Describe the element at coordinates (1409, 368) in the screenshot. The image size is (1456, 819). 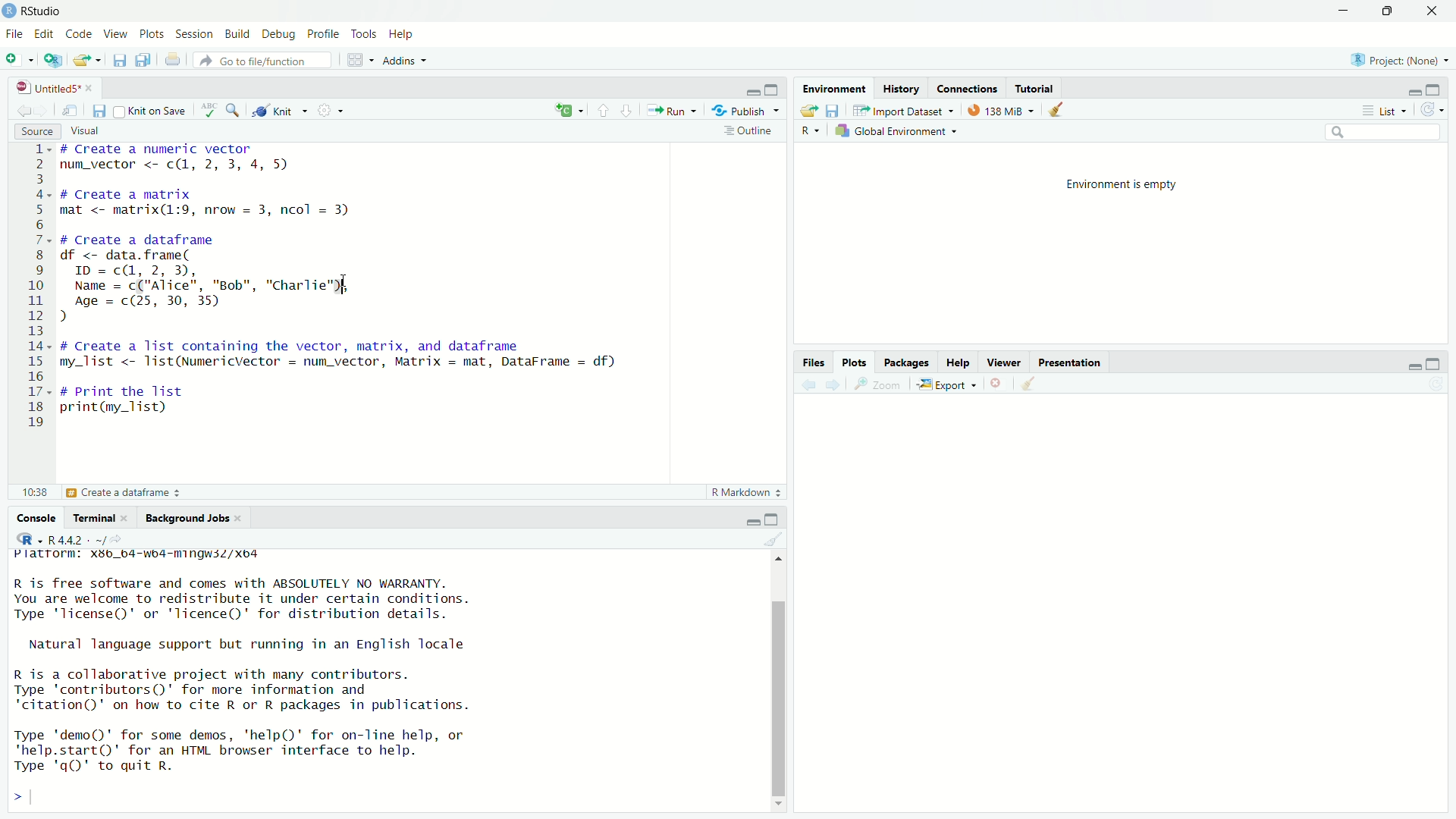
I see `minimise` at that location.